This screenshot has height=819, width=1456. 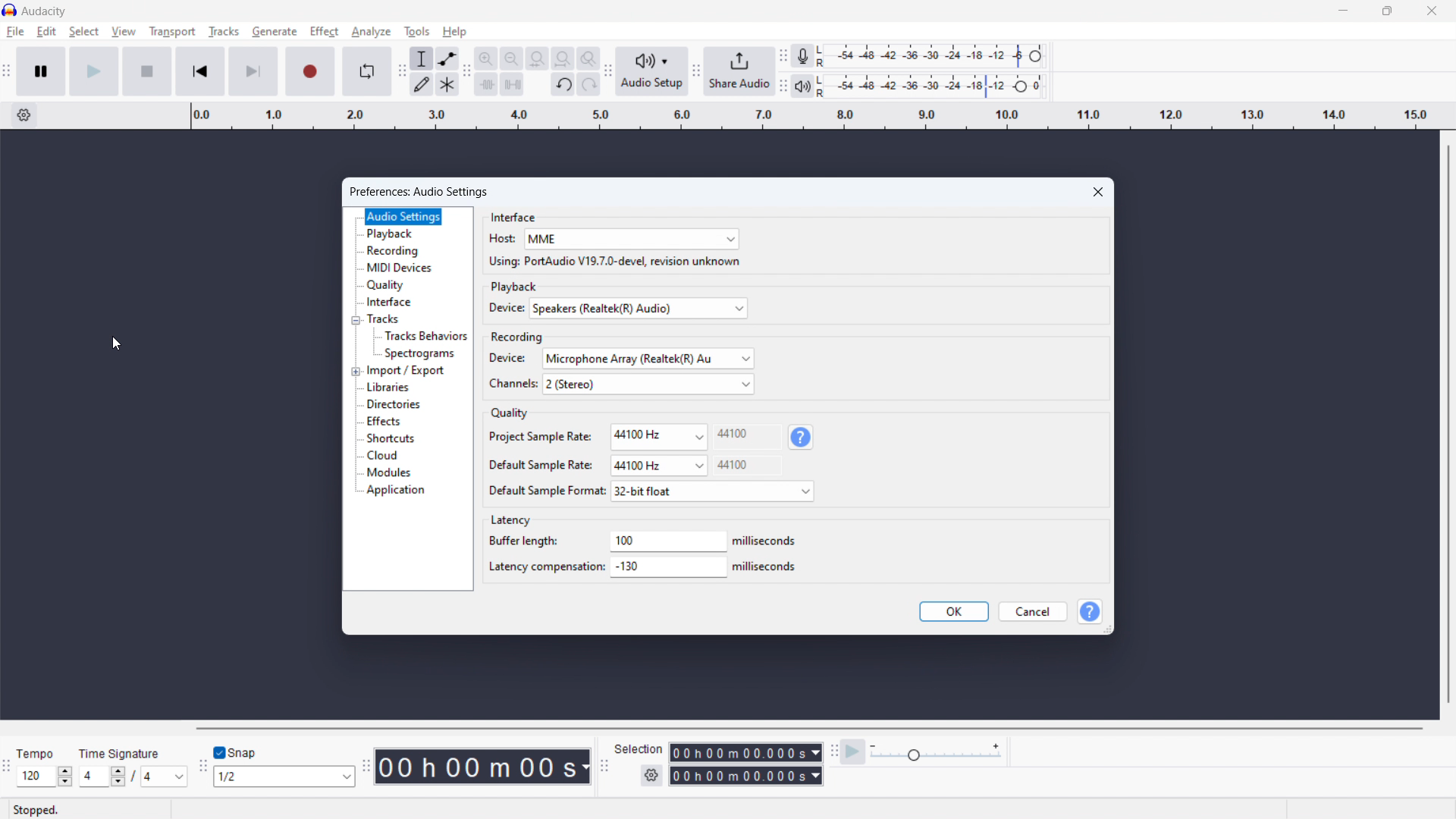 I want to click on playback speed, so click(x=936, y=751).